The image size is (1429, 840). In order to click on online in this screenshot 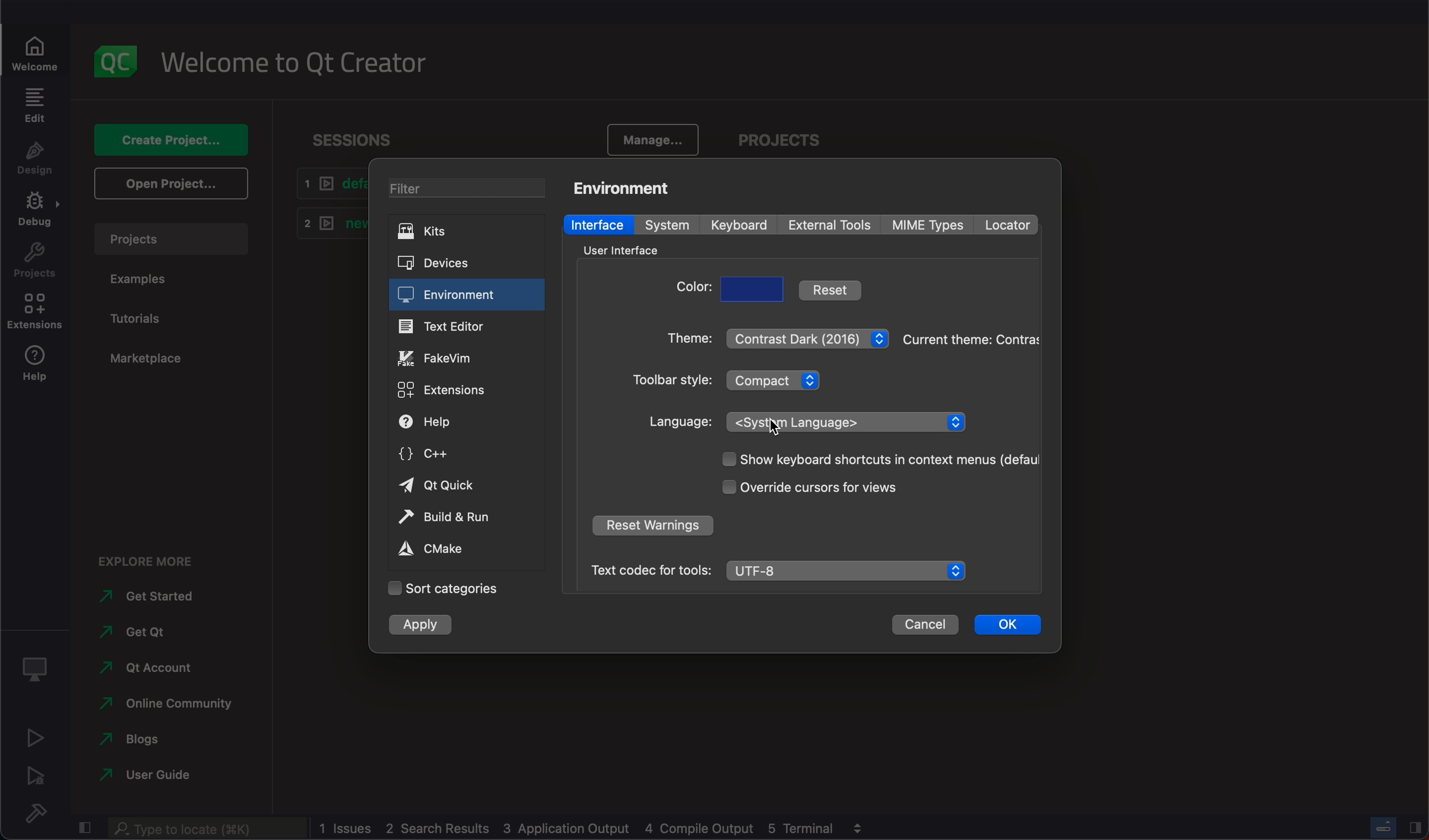, I will do `click(160, 705)`.